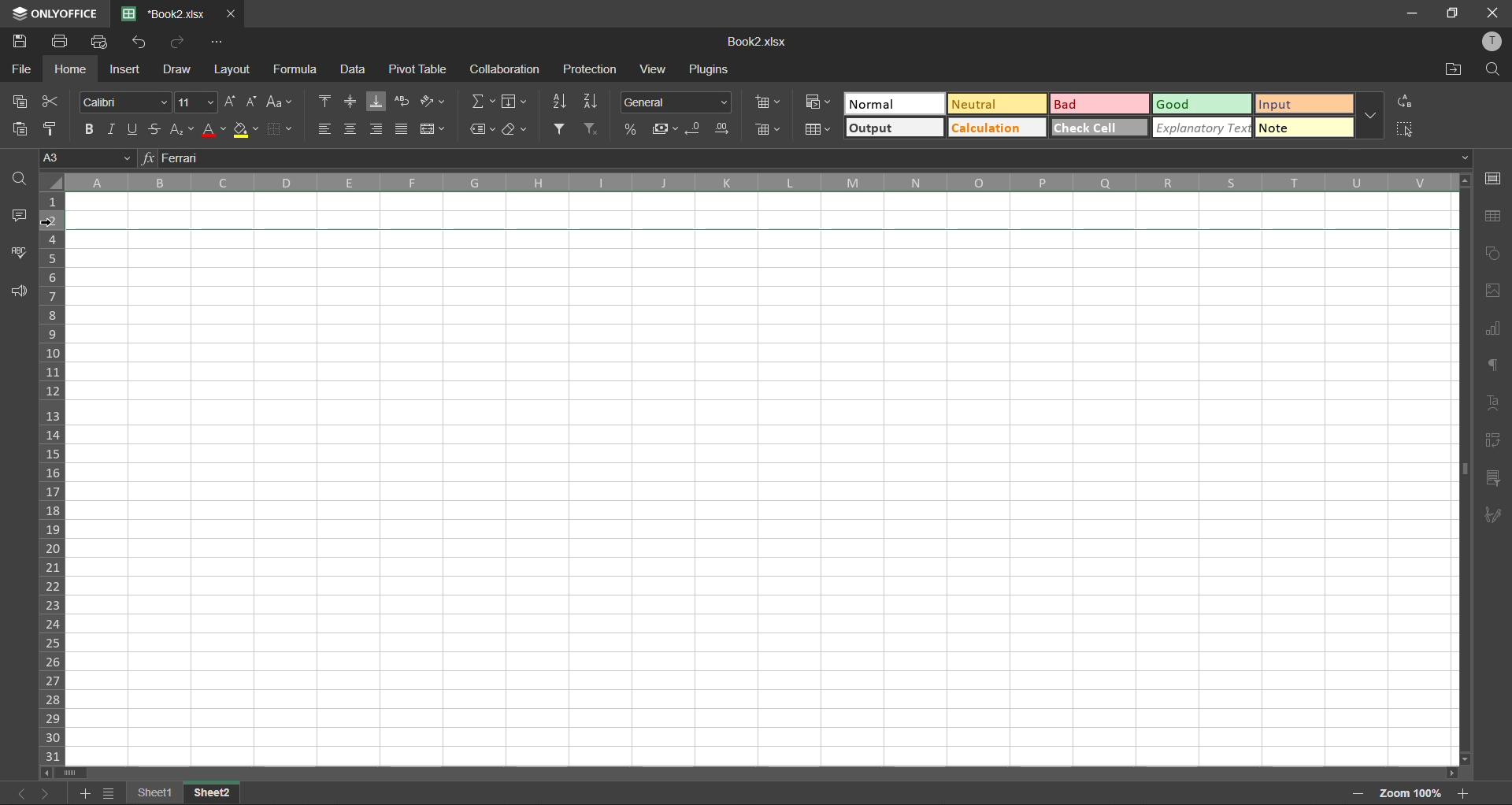  Describe the element at coordinates (65, 42) in the screenshot. I see `print` at that location.